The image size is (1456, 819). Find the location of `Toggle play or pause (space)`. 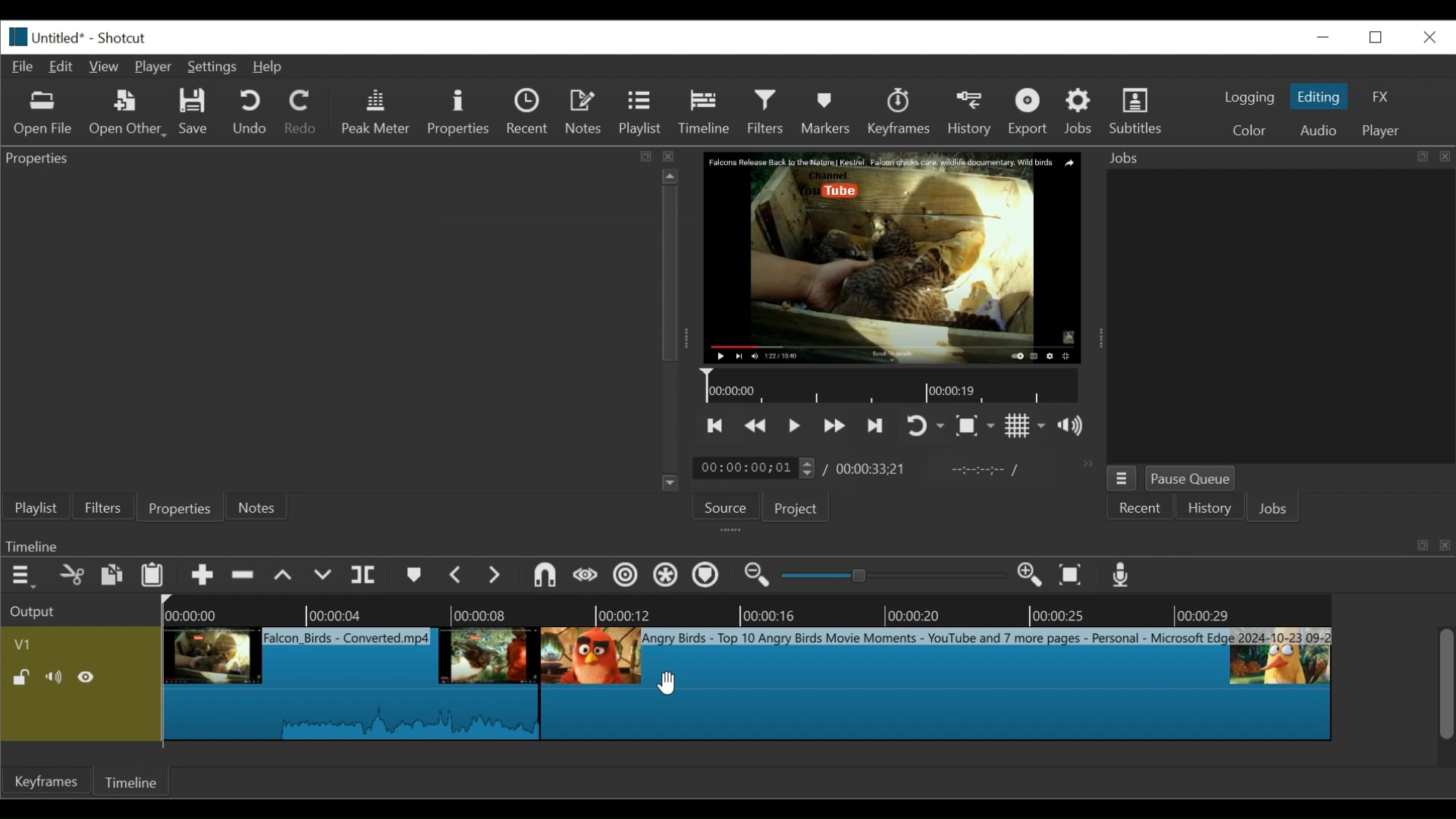

Toggle play or pause (space) is located at coordinates (795, 425).